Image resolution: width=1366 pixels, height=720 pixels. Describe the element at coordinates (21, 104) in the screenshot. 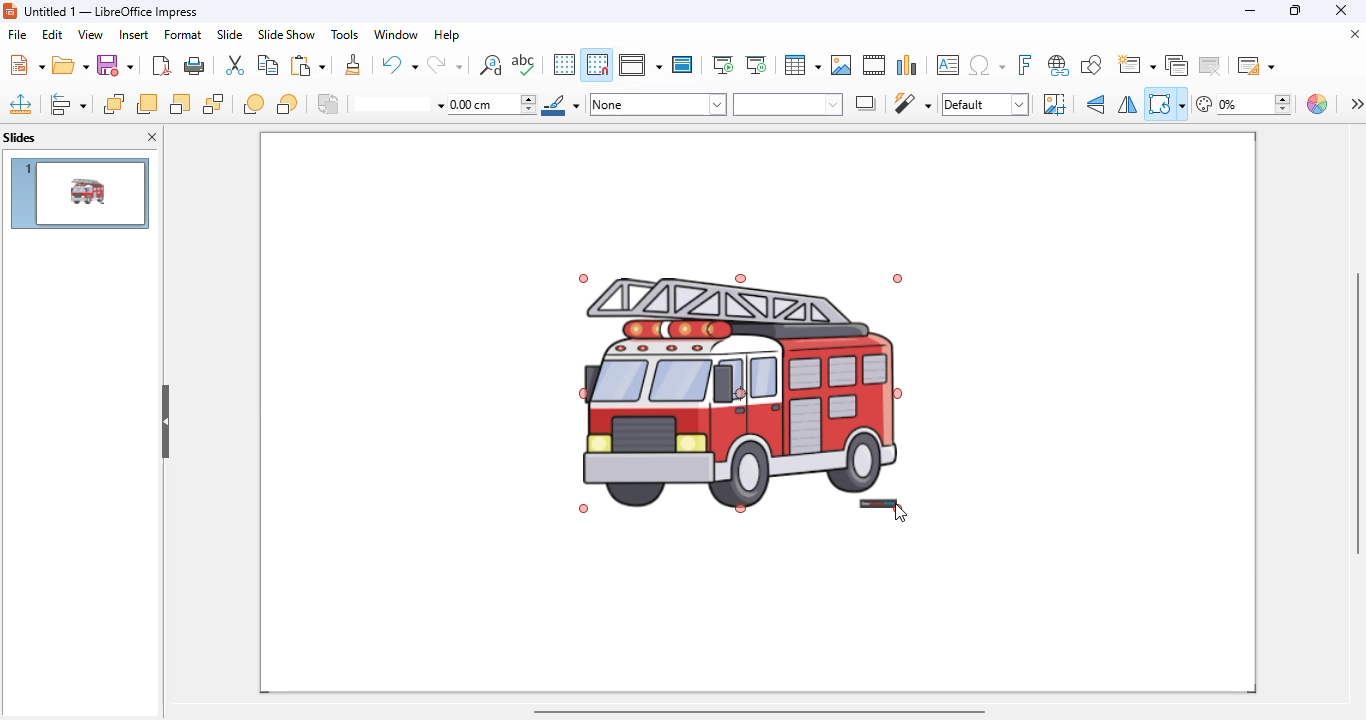

I see `position and size` at that location.